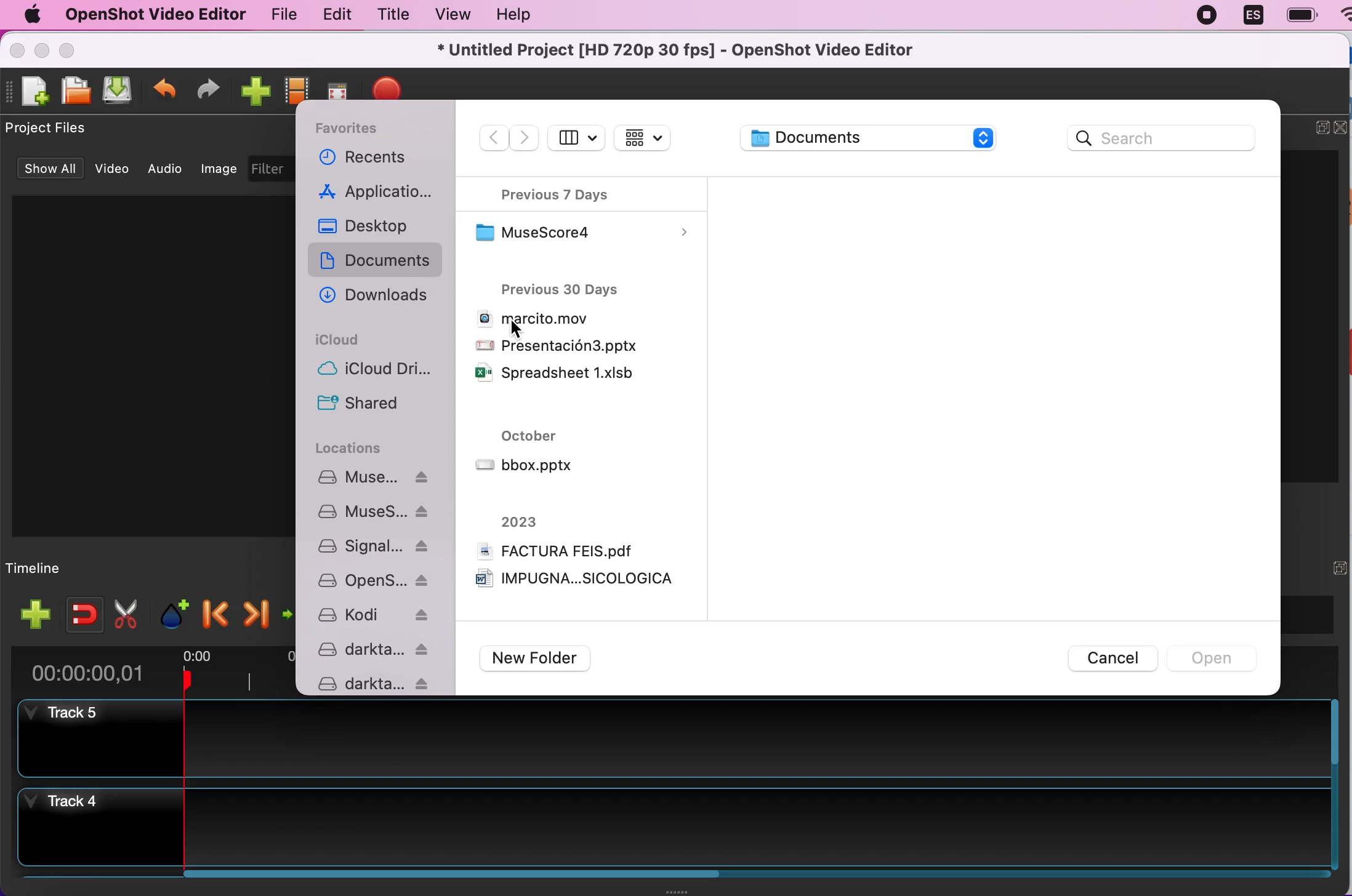 Image resolution: width=1352 pixels, height=896 pixels. What do you see at coordinates (395, 85) in the screenshot?
I see `export files` at bounding box center [395, 85].